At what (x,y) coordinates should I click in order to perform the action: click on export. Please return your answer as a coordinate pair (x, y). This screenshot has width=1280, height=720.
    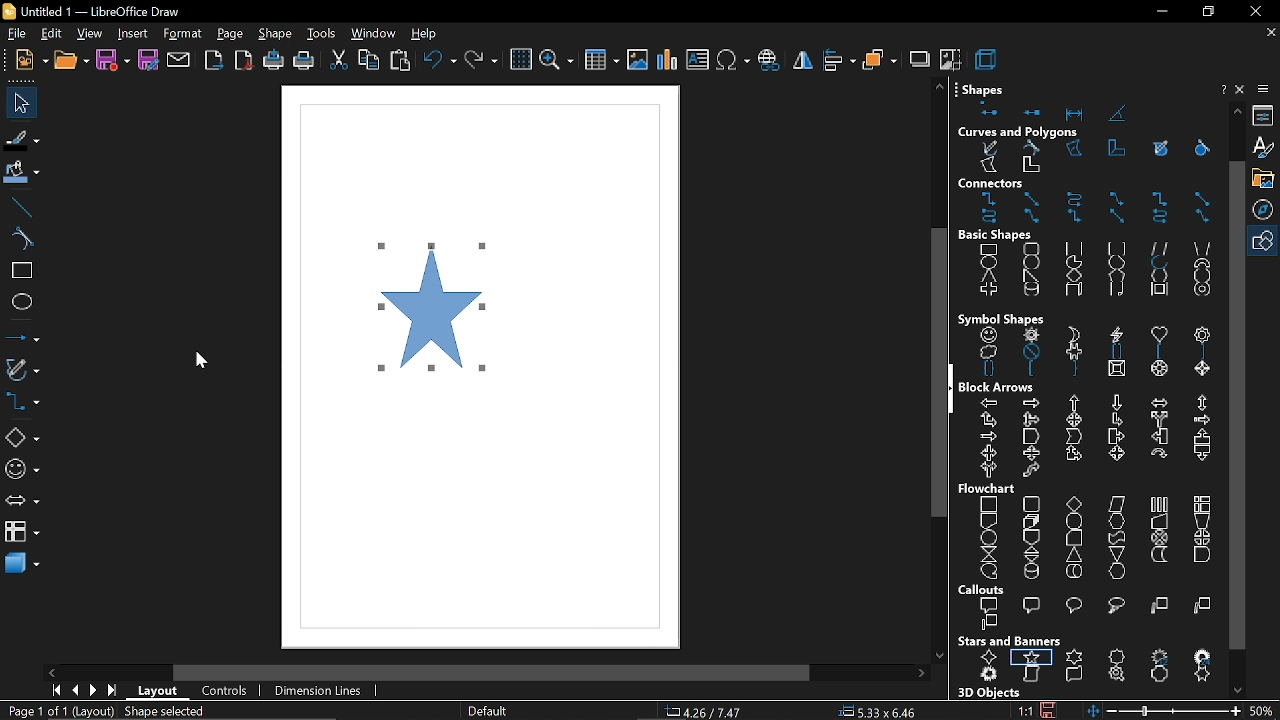
    Looking at the image, I should click on (212, 62).